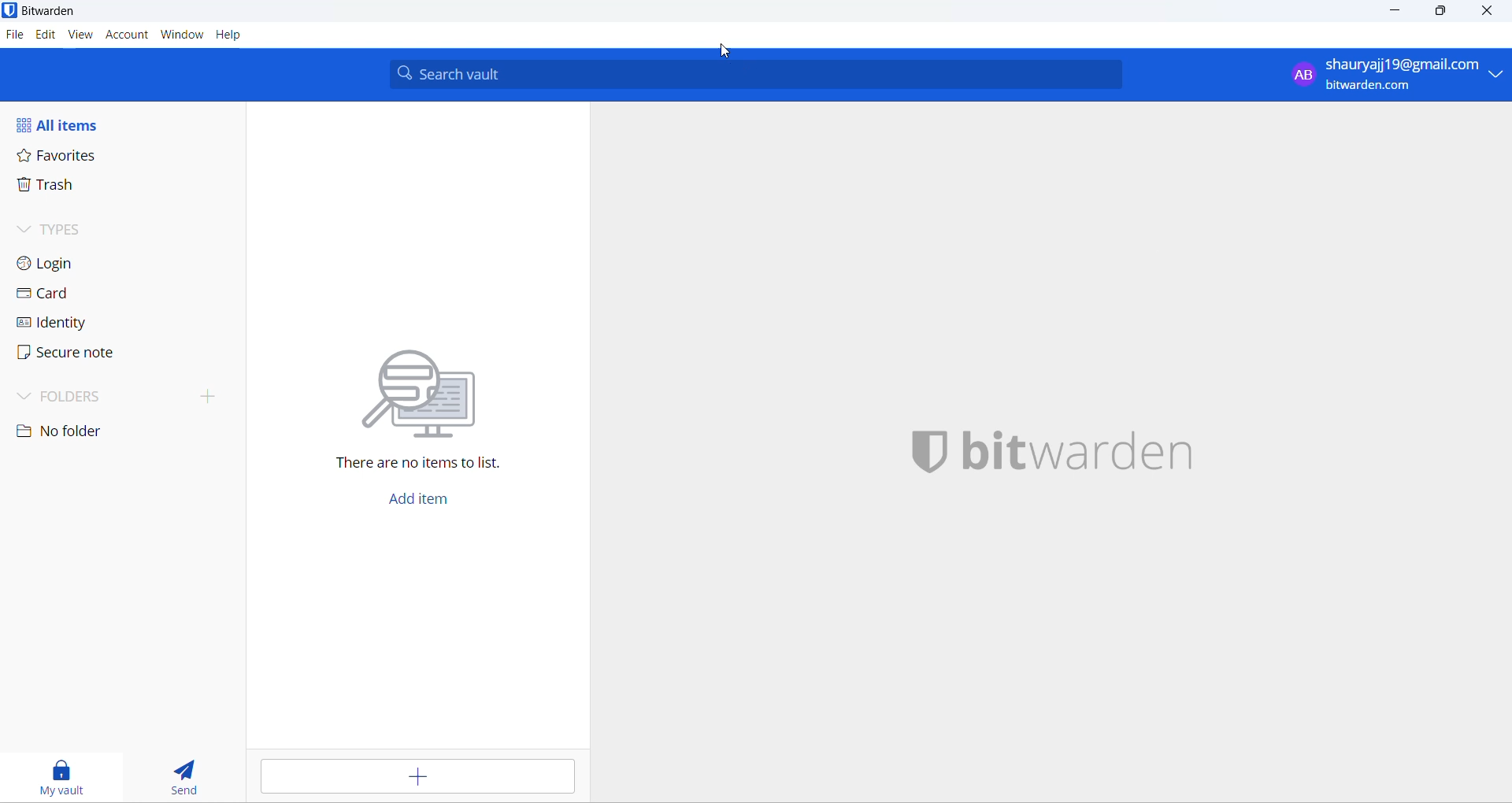 The image size is (1512, 803). What do you see at coordinates (428, 405) in the screenshot?
I see `text and graphics` at bounding box center [428, 405].